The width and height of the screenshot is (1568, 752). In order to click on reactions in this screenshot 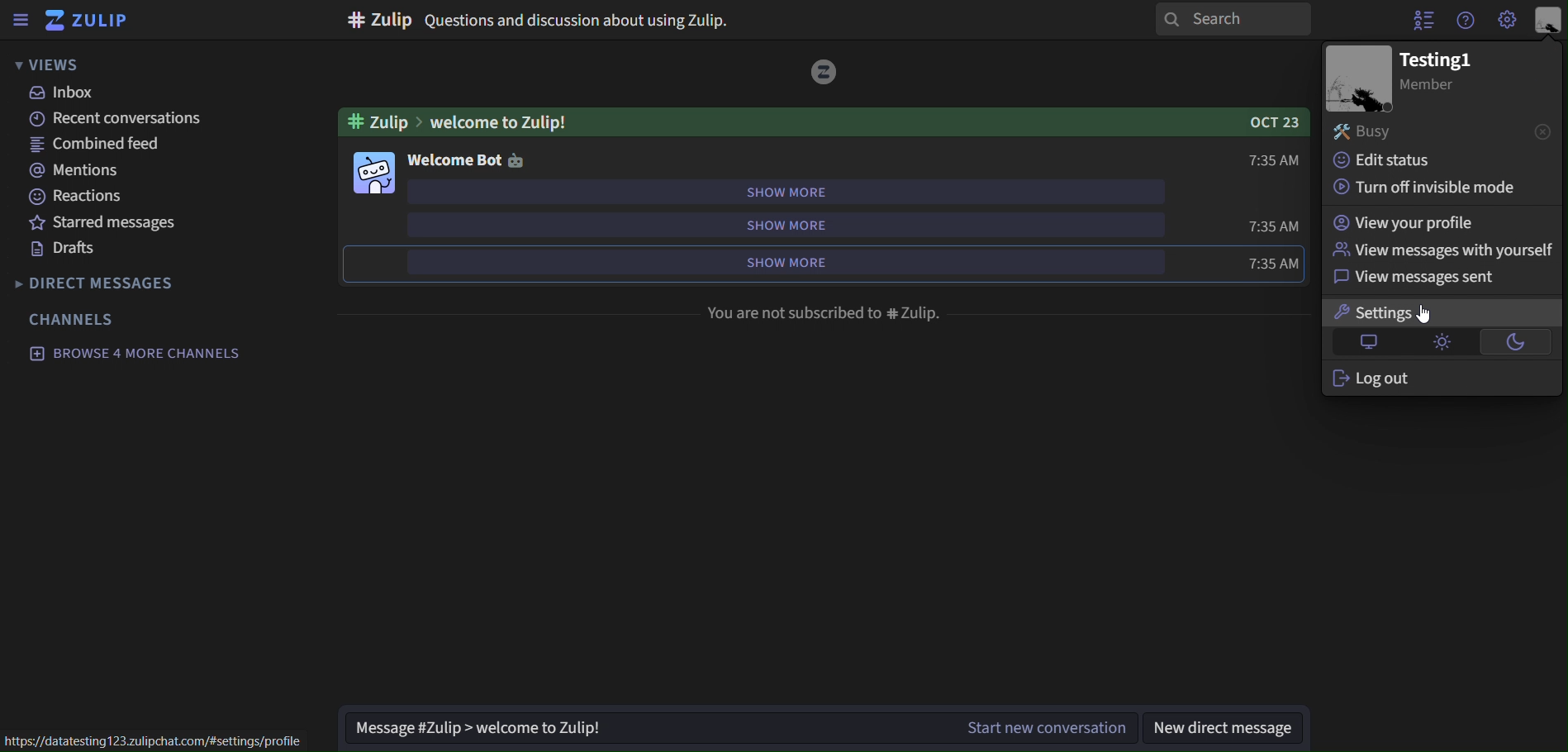, I will do `click(74, 196)`.